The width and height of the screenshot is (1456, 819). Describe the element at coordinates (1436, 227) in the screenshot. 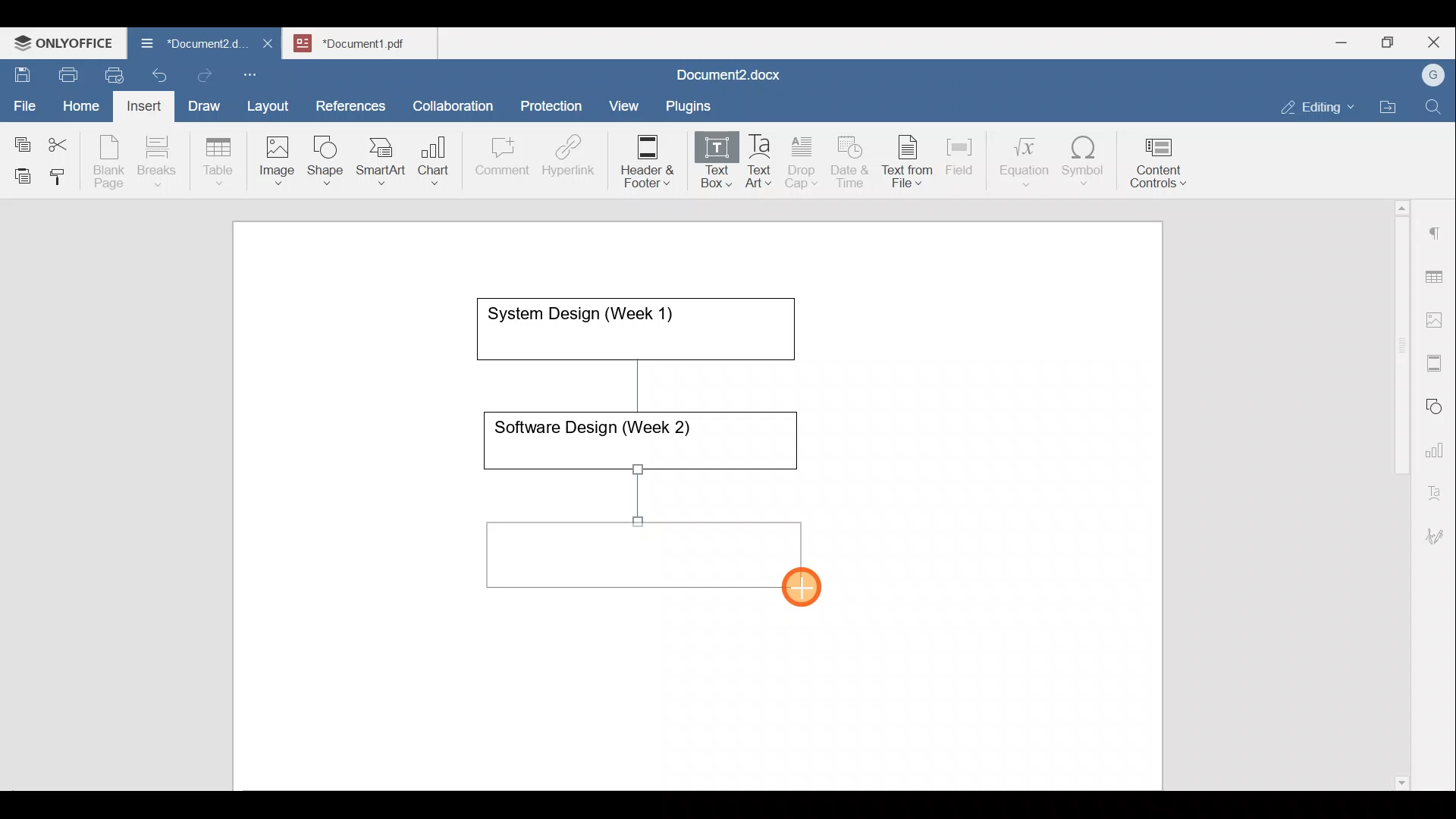

I see `Paragraph settings` at that location.